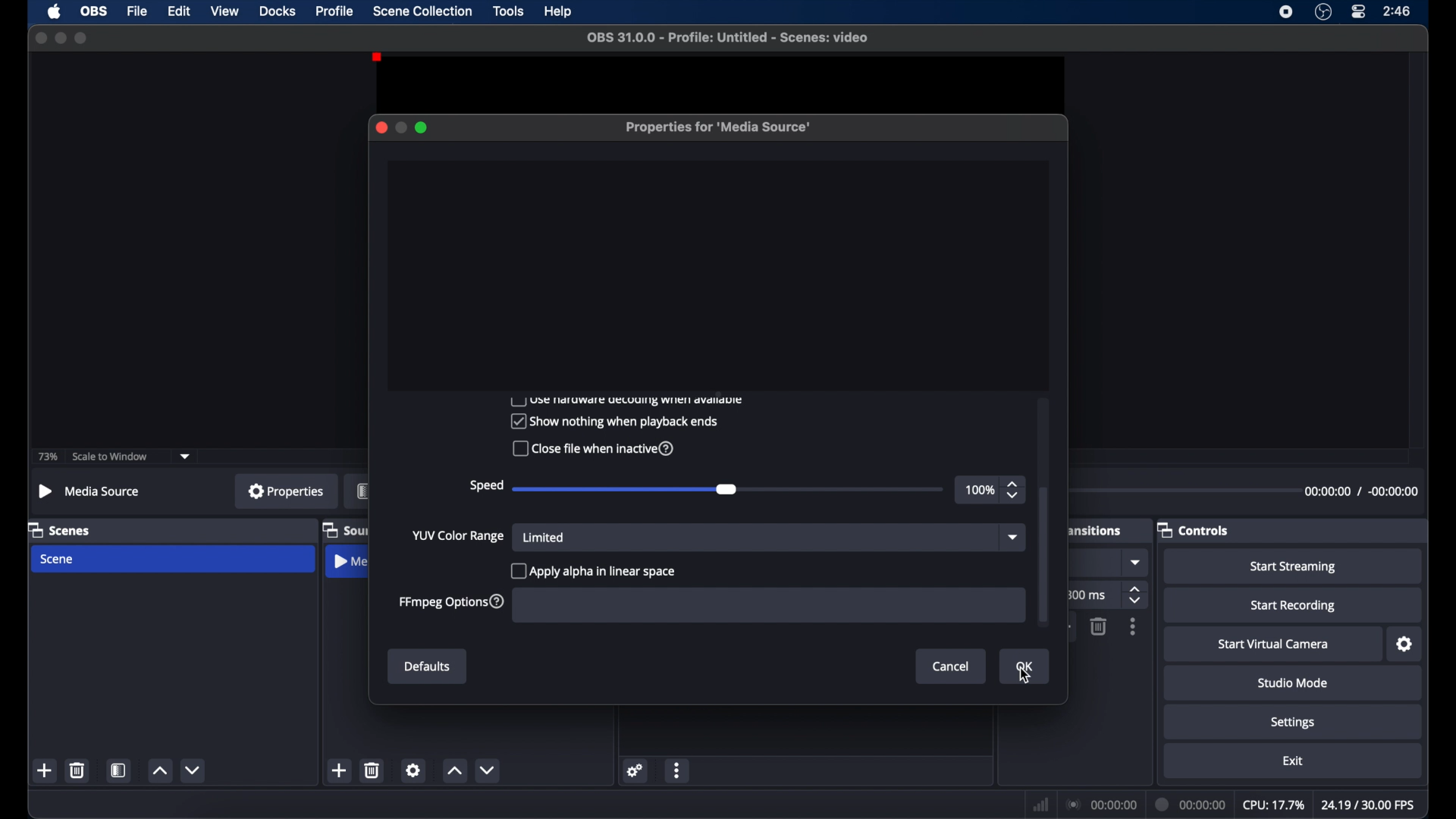 The image size is (1456, 819). I want to click on transitions, so click(1094, 531).